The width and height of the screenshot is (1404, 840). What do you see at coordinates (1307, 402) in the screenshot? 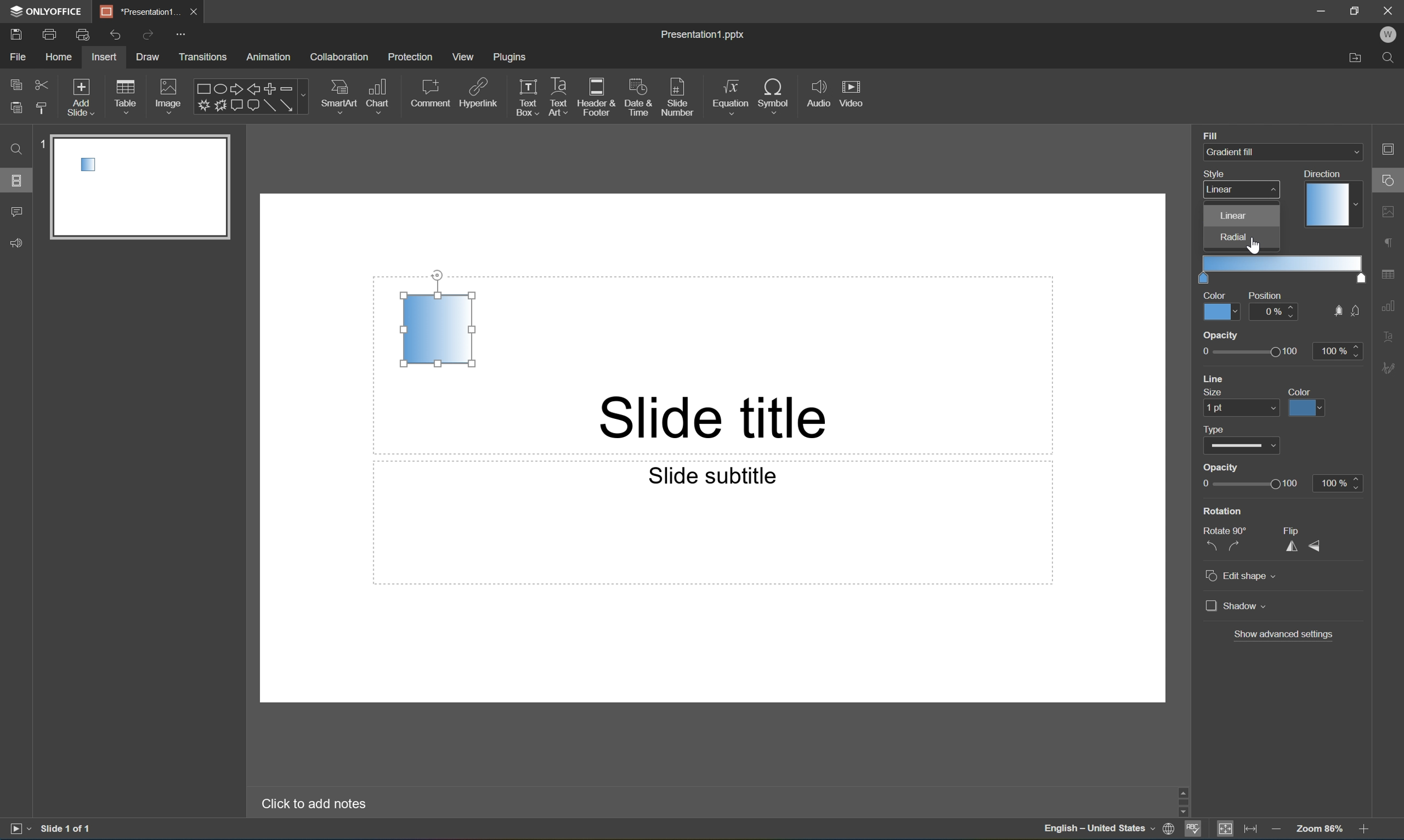
I see `color` at bounding box center [1307, 402].